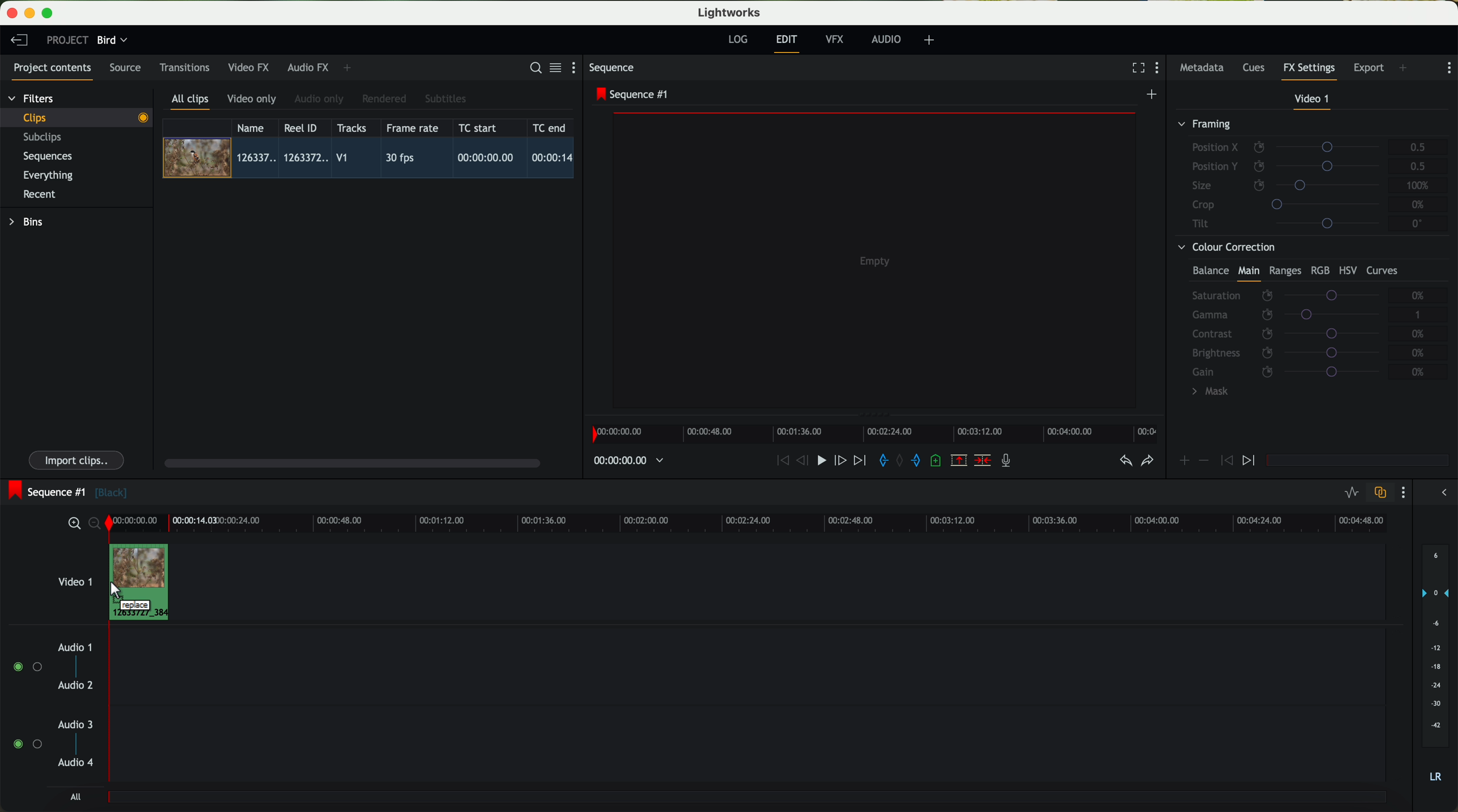 The width and height of the screenshot is (1458, 812). Describe the element at coordinates (184, 67) in the screenshot. I see `transitions` at that location.